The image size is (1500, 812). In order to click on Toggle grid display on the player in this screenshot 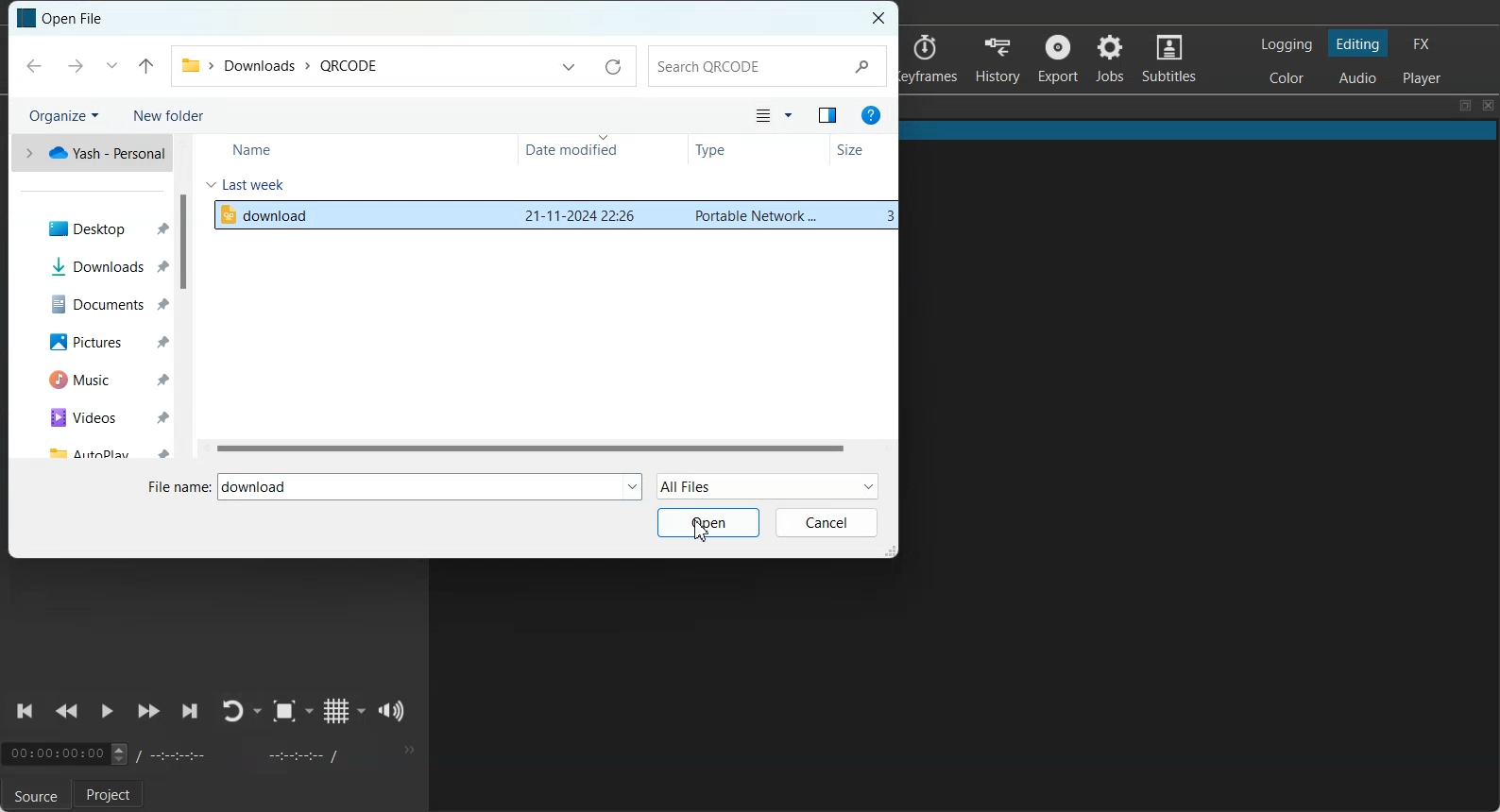, I will do `click(335, 711)`.